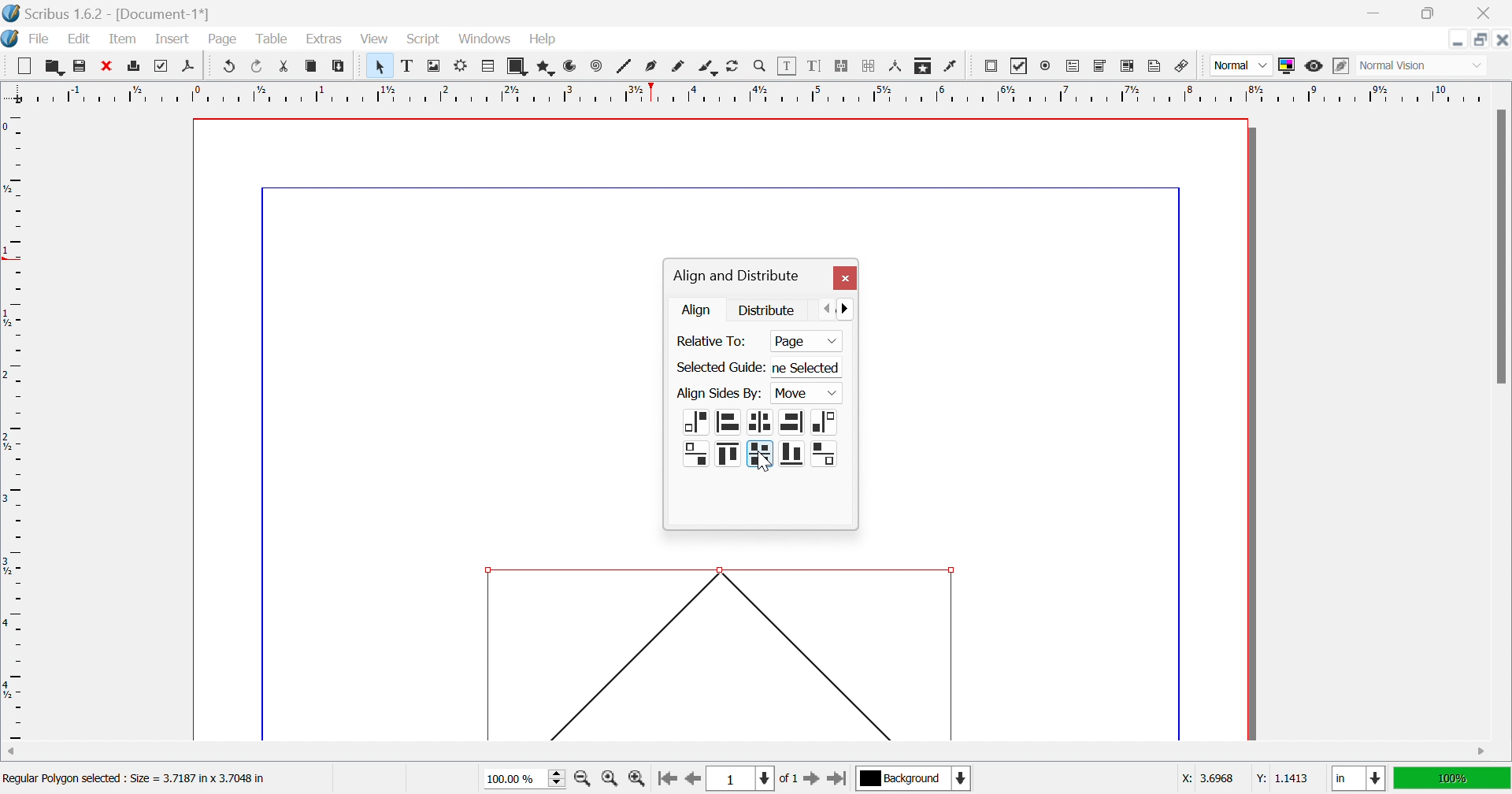  What do you see at coordinates (134, 781) in the screenshot?
I see `Regular polygon selected: Size = 3.7187 in x 3.7048 in` at bounding box center [134, 781].